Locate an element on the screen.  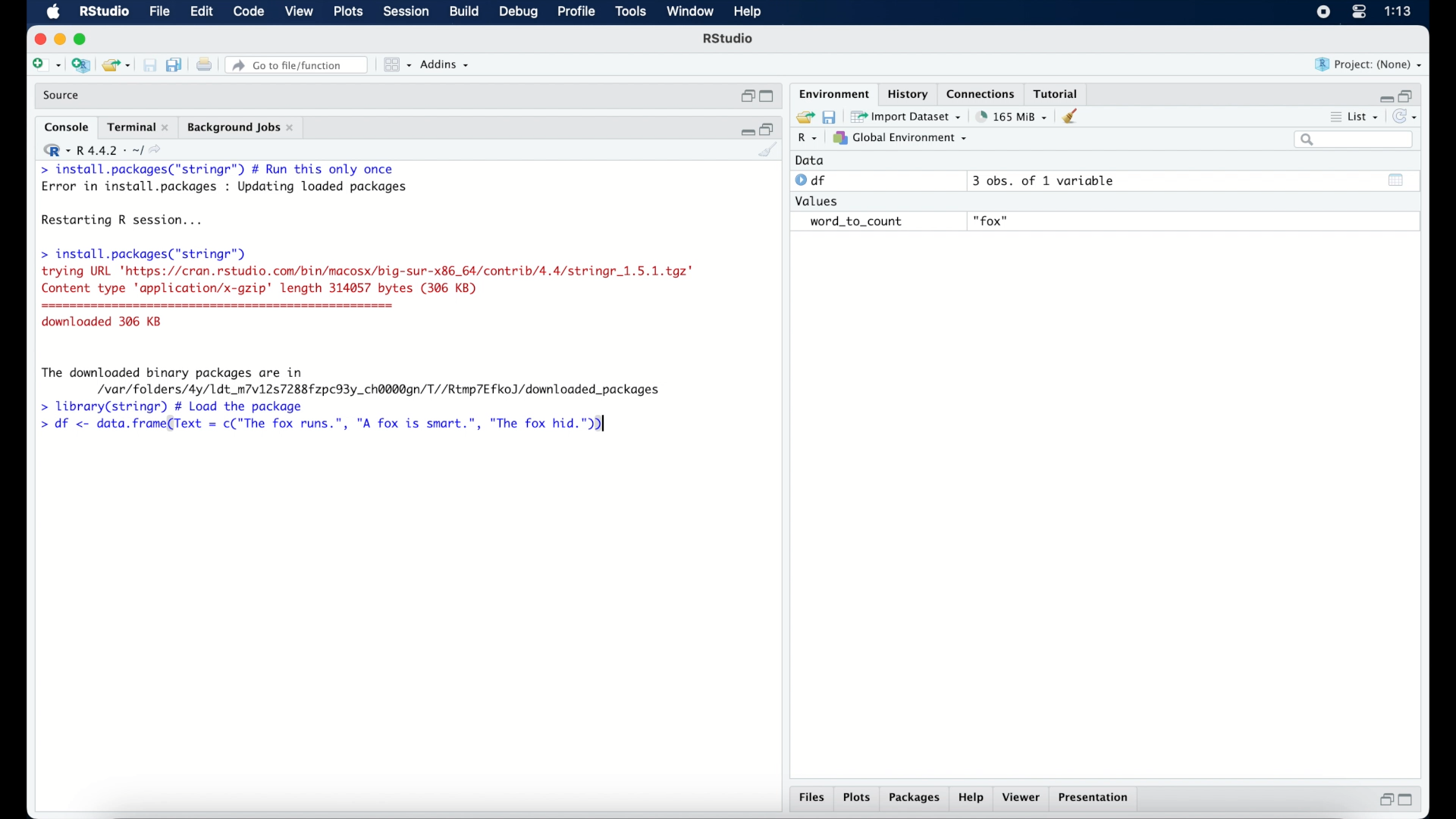
values is located at coordinates (818, 199).